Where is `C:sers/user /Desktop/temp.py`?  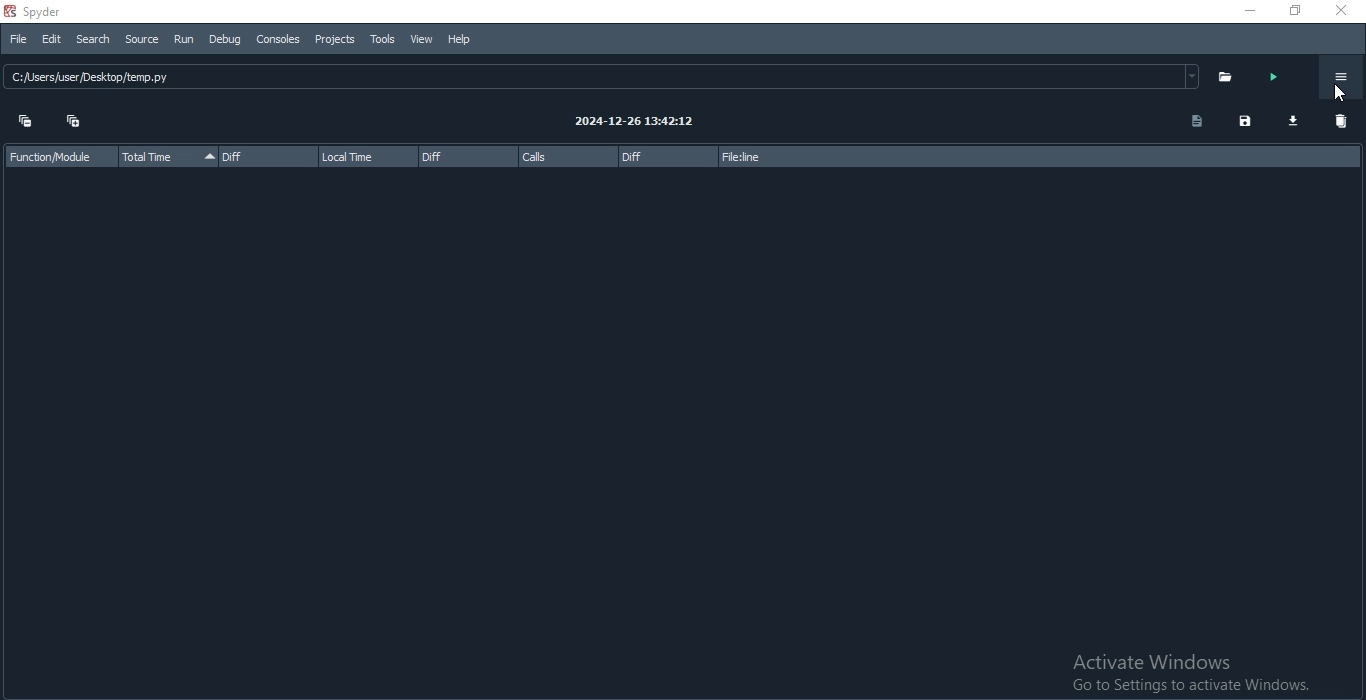
C:sers/user /Desktop/temp.py is located at coordinates (600, 78).